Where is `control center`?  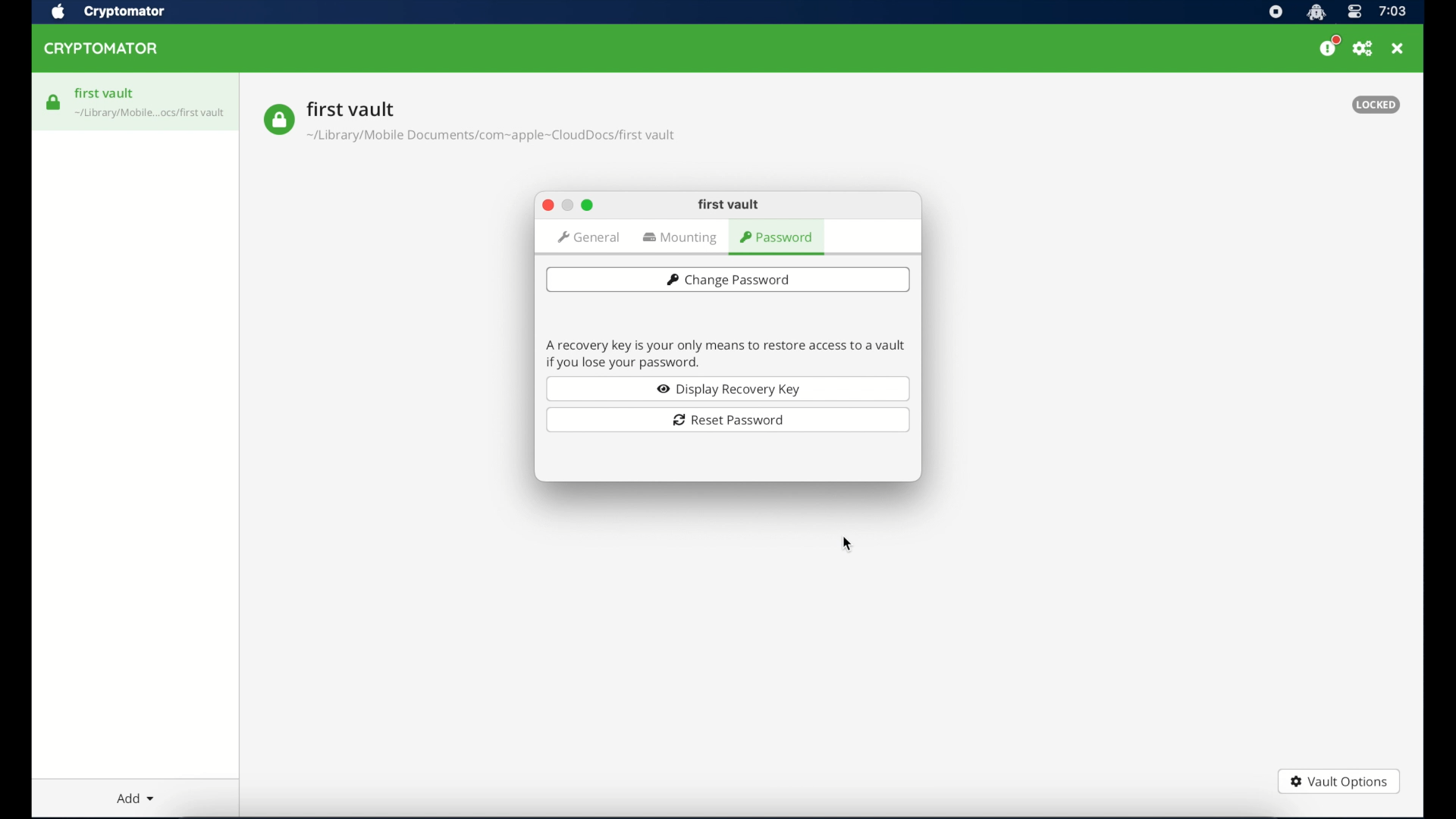
control center is located at coordinates (1354, 13).